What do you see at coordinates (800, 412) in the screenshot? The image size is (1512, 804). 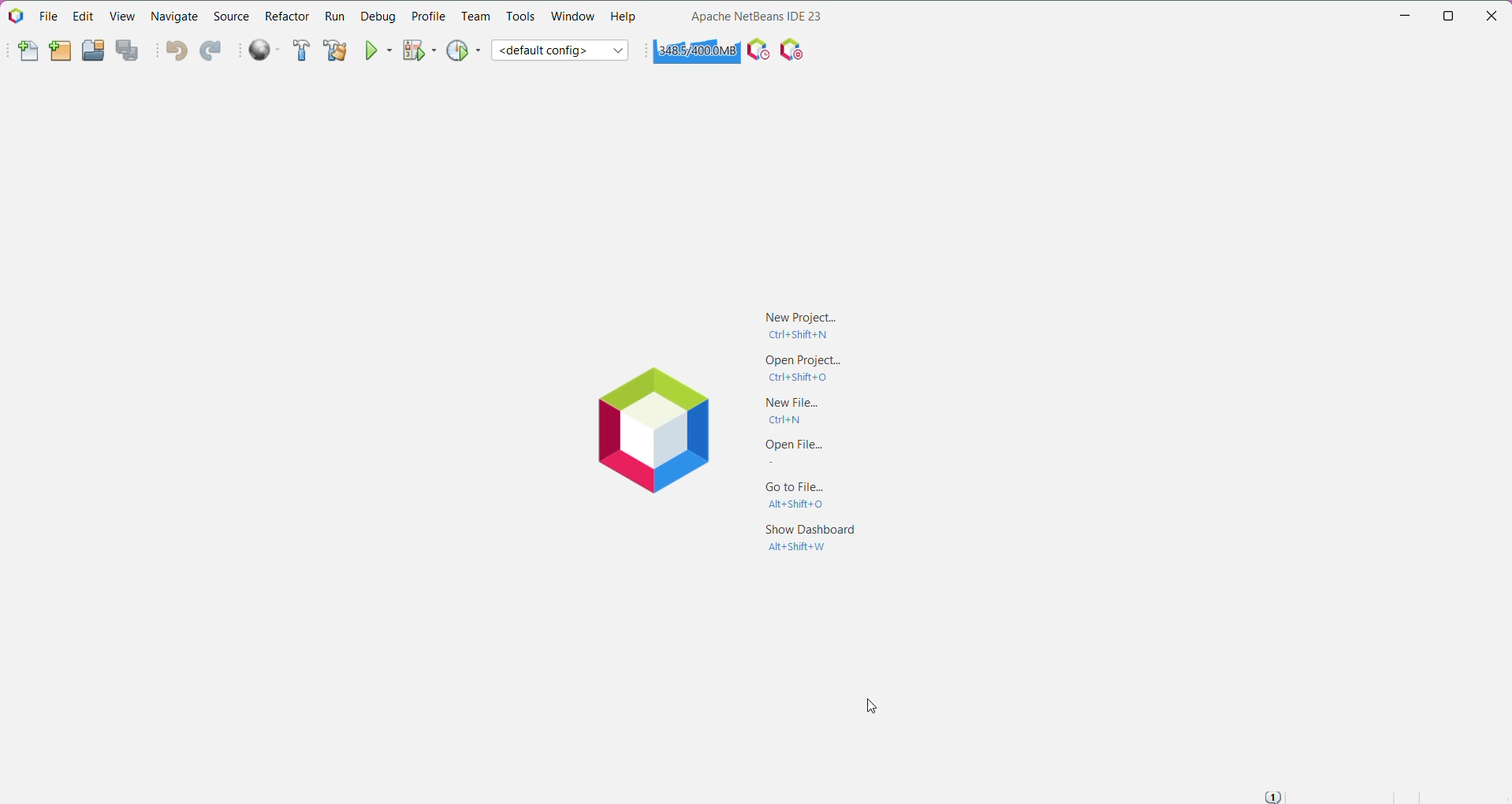 I see `New File` at bounding box center [800, 412].